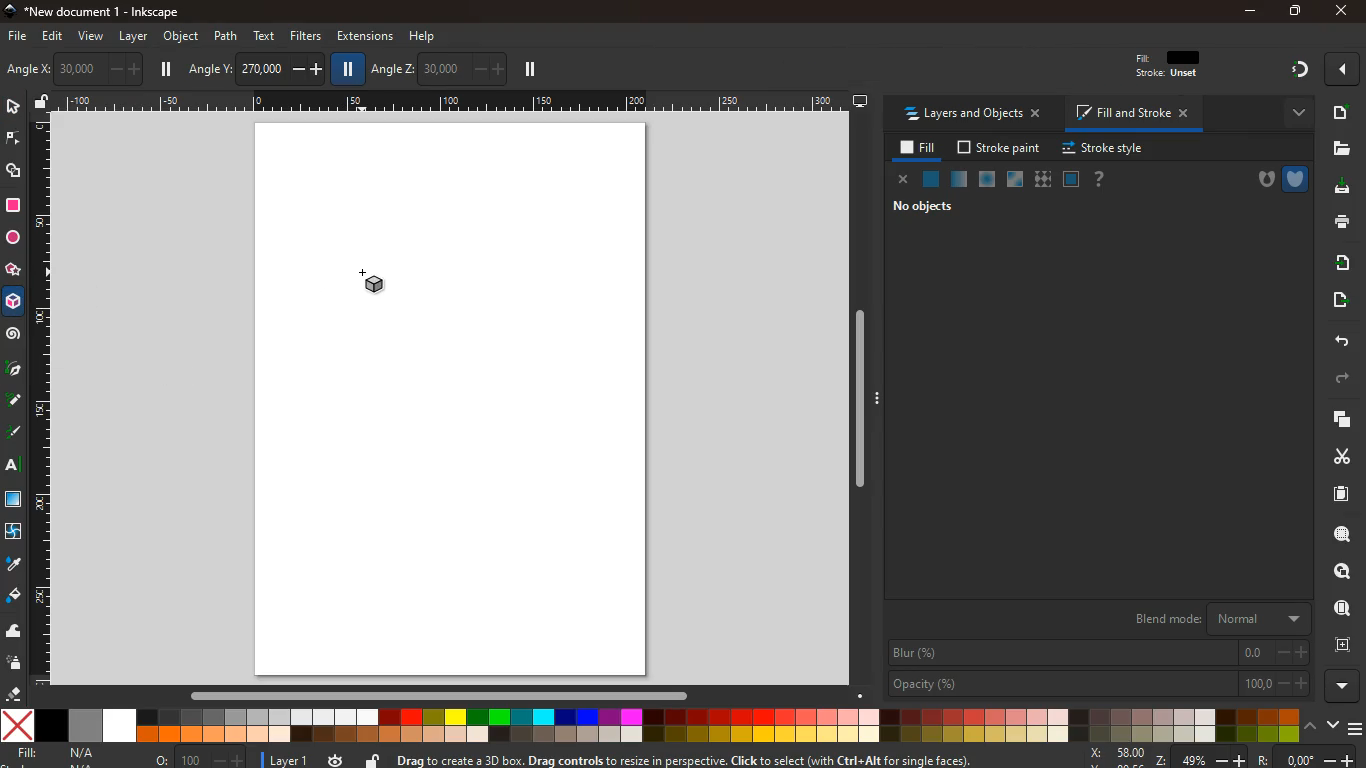 This screenshot has width=1366, height=768. Describe the element at coordinates (1169, 69) in the screenshot. I see `filt` at that location.